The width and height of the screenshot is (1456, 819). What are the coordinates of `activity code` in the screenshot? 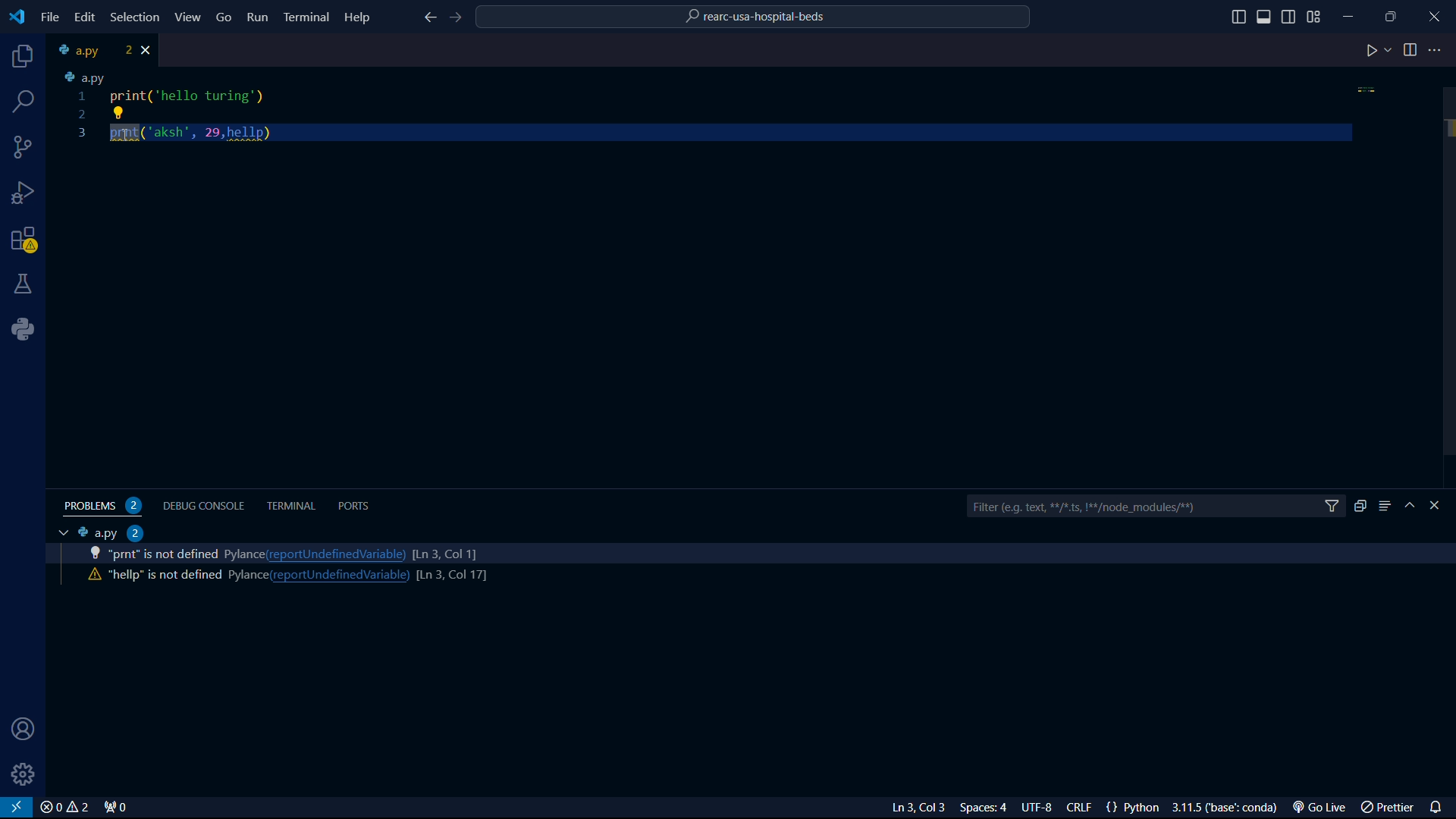 It's located at (156, 554).